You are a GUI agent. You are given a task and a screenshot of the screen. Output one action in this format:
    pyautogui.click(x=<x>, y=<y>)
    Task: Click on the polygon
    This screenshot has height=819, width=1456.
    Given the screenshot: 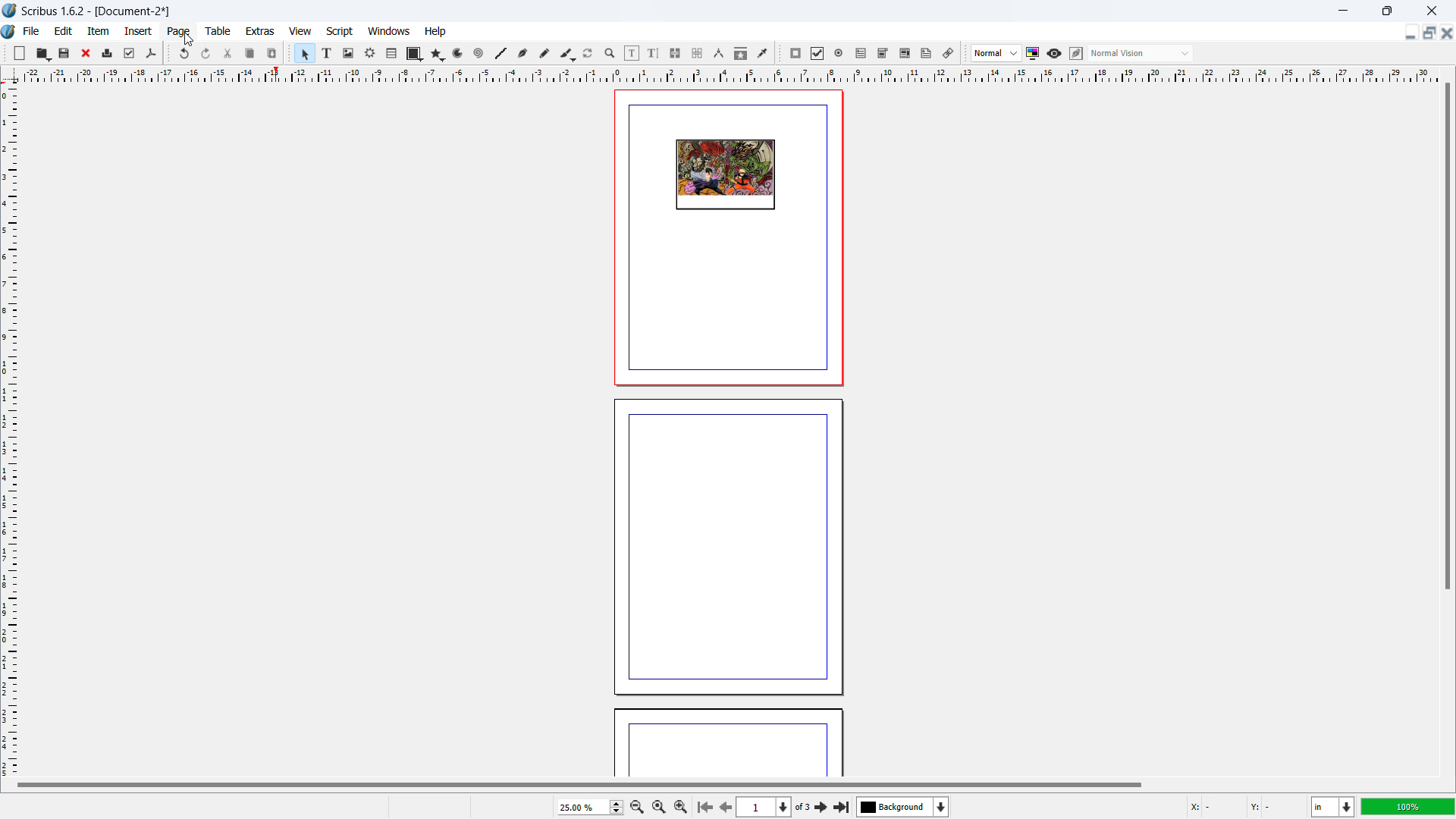 What is the action you would take?
    pyautogui.click(x=438, y=54)
    